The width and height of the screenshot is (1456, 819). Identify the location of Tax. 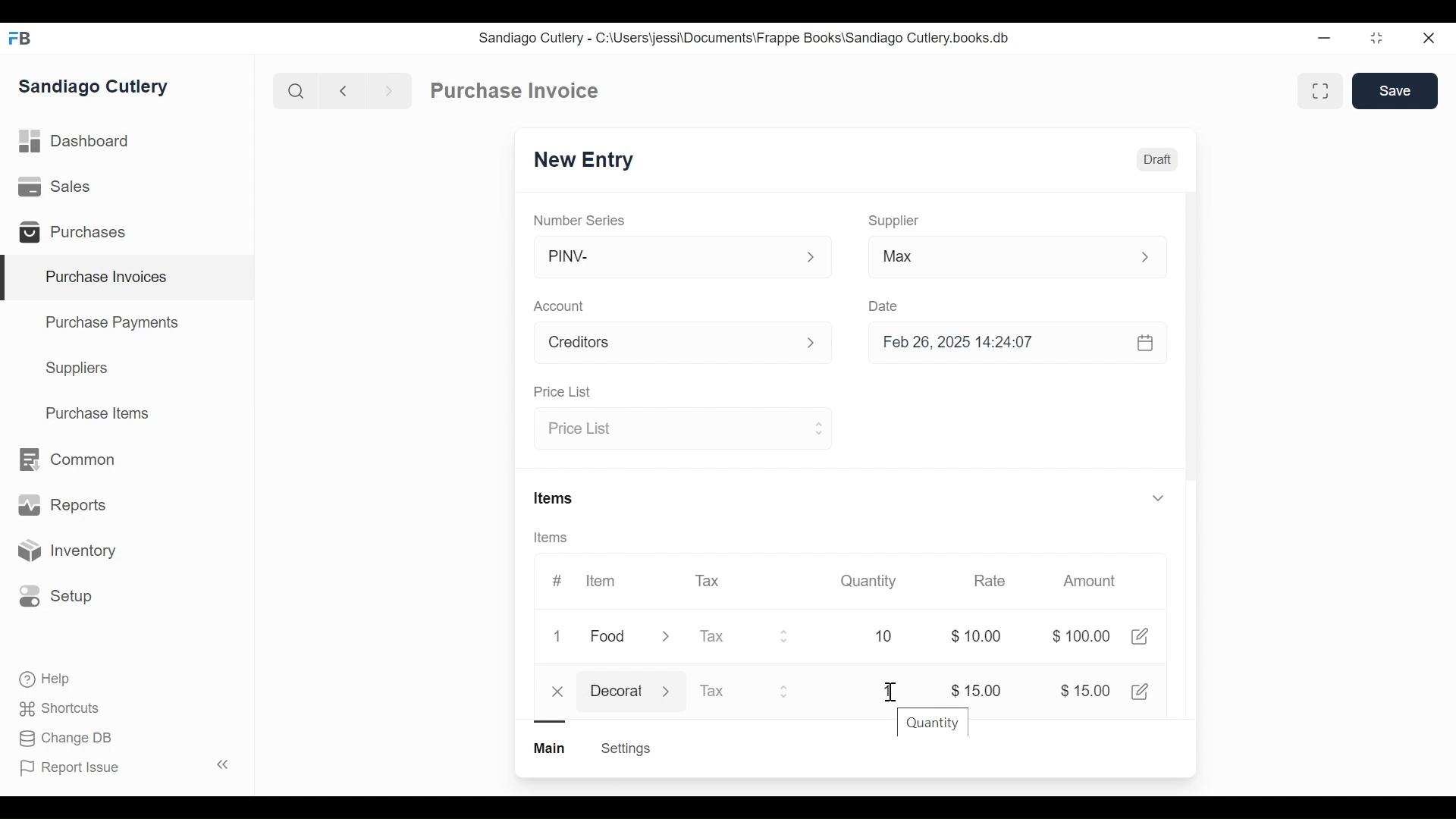
(710, 579).